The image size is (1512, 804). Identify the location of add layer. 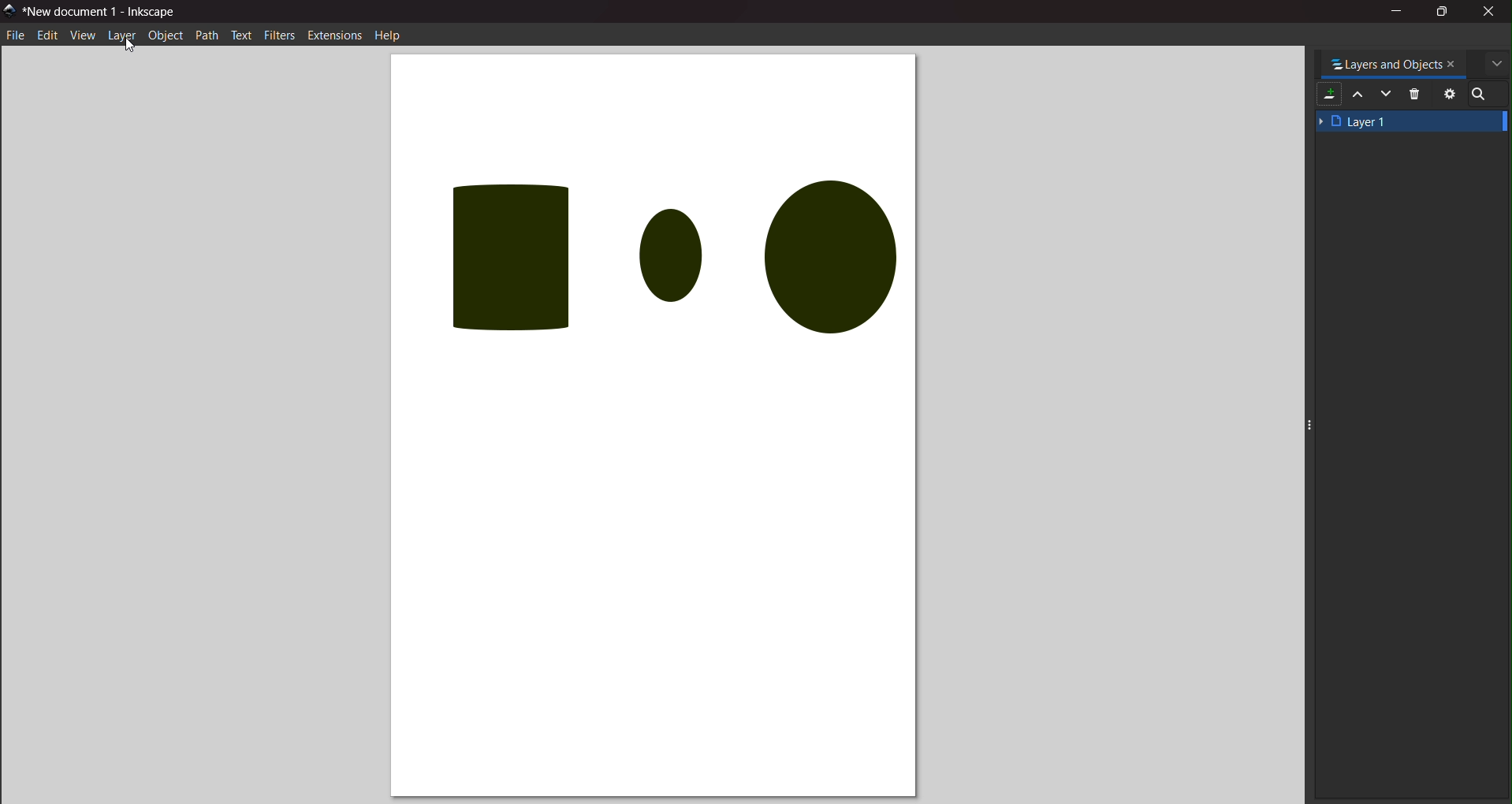
(1328, 95).